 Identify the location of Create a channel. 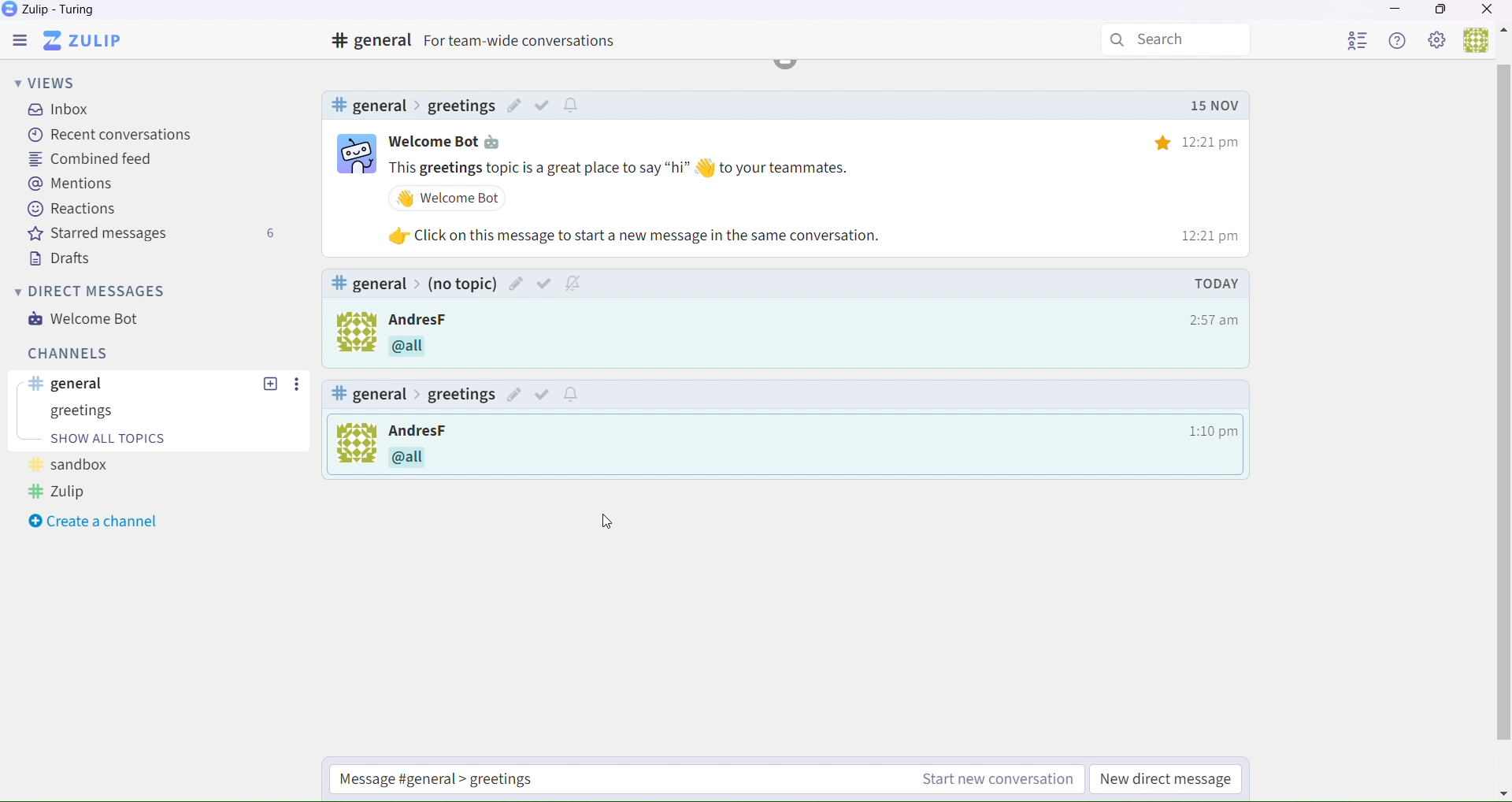
(98, 522).